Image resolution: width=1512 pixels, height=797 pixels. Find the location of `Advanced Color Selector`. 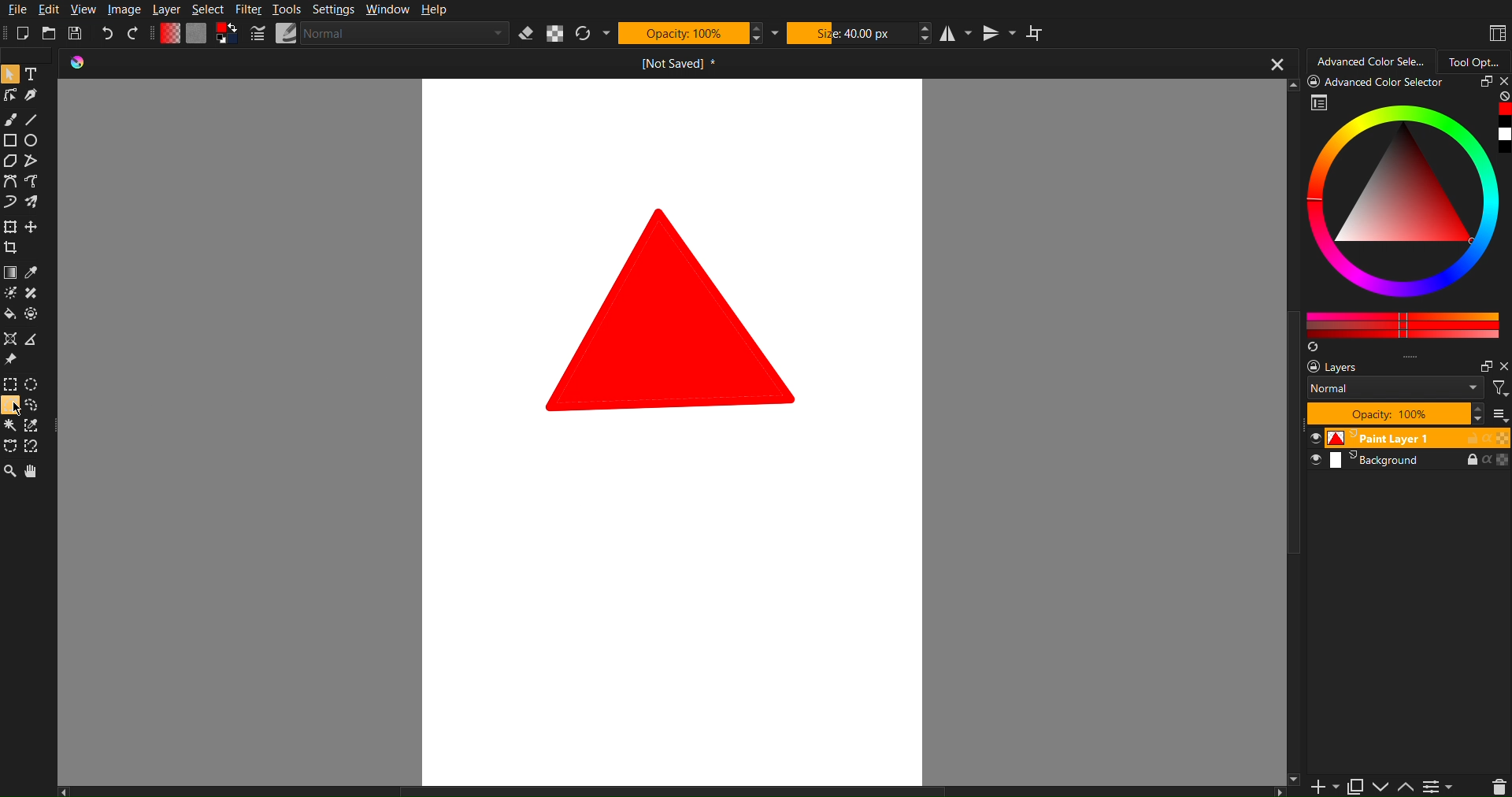

Advanced Color Selector is located at coordinates (1371, 61).